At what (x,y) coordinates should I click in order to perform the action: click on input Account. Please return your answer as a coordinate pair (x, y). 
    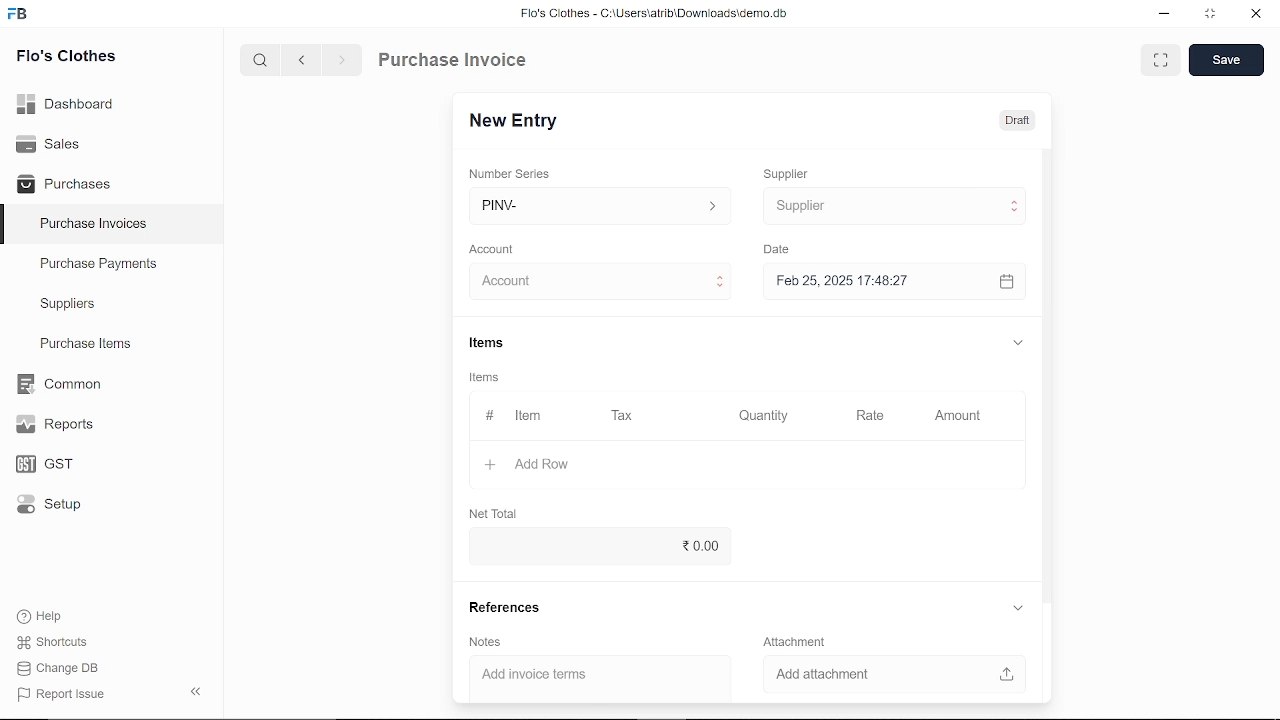
    Looking at the image, I should click on (594, 282).